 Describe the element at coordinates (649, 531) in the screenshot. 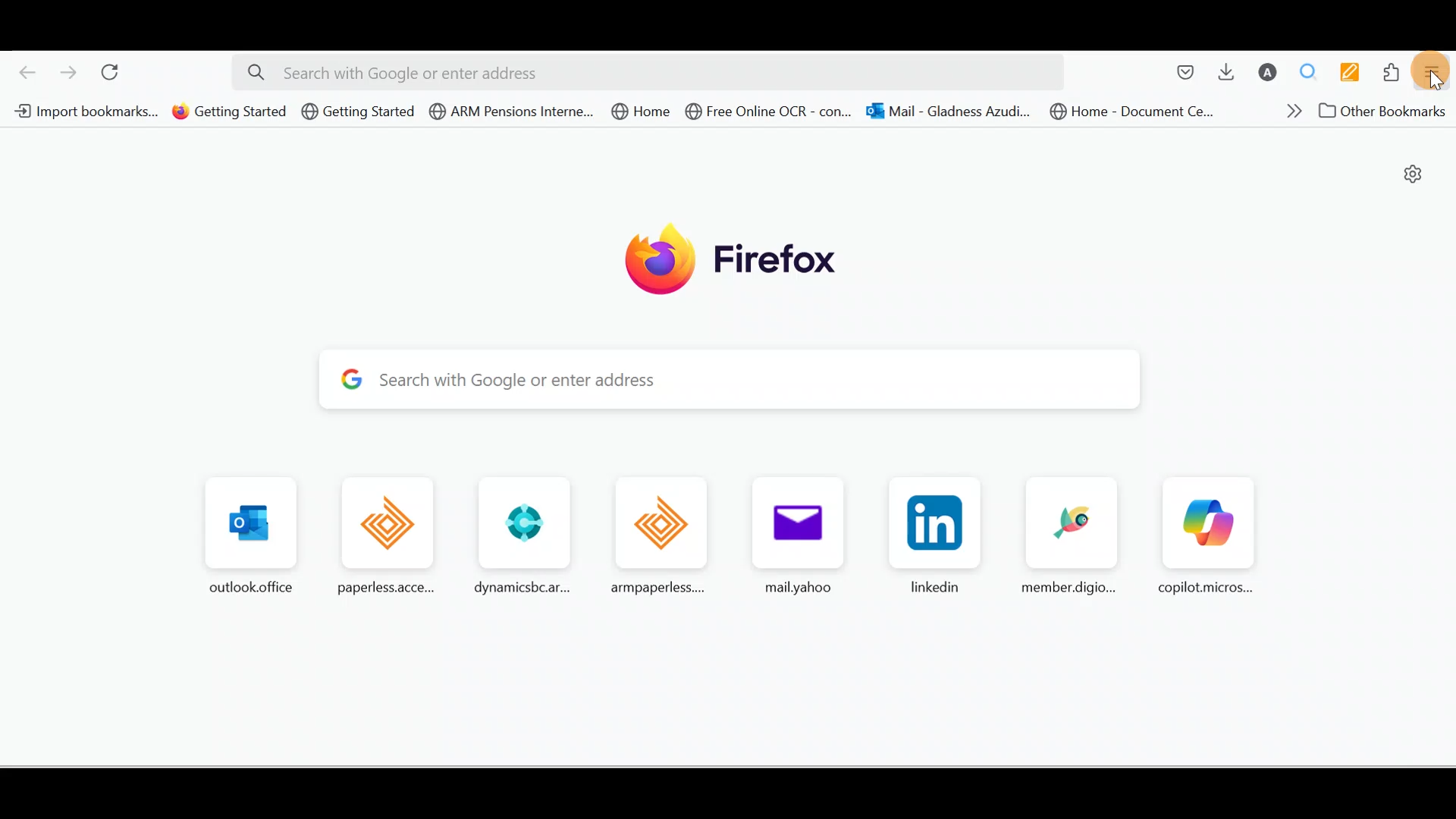

I see `Frequently browsed page` at that location.